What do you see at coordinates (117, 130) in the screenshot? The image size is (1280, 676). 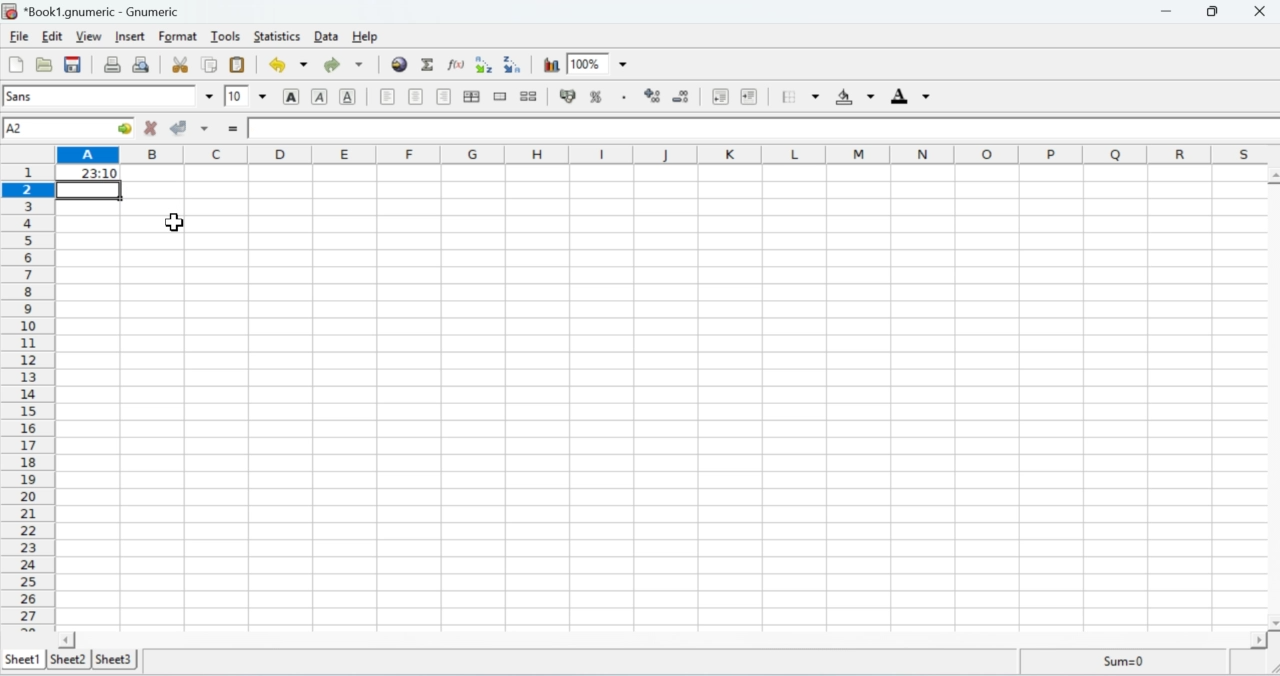 I see `go to` at bounding box center [117, 130].